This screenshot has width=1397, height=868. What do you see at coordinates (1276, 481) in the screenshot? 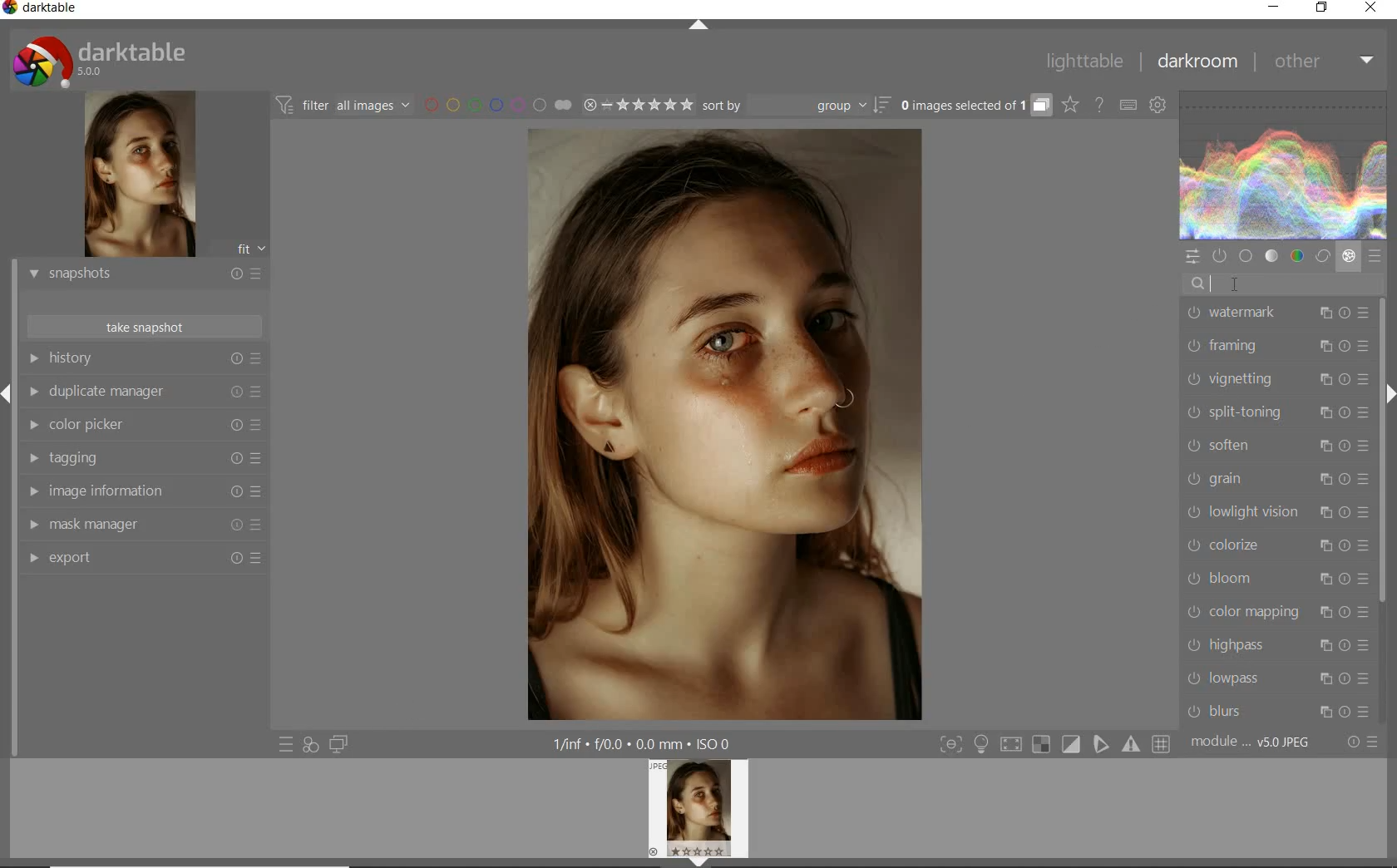
I see `grain` at bounding box center [1276, 481].